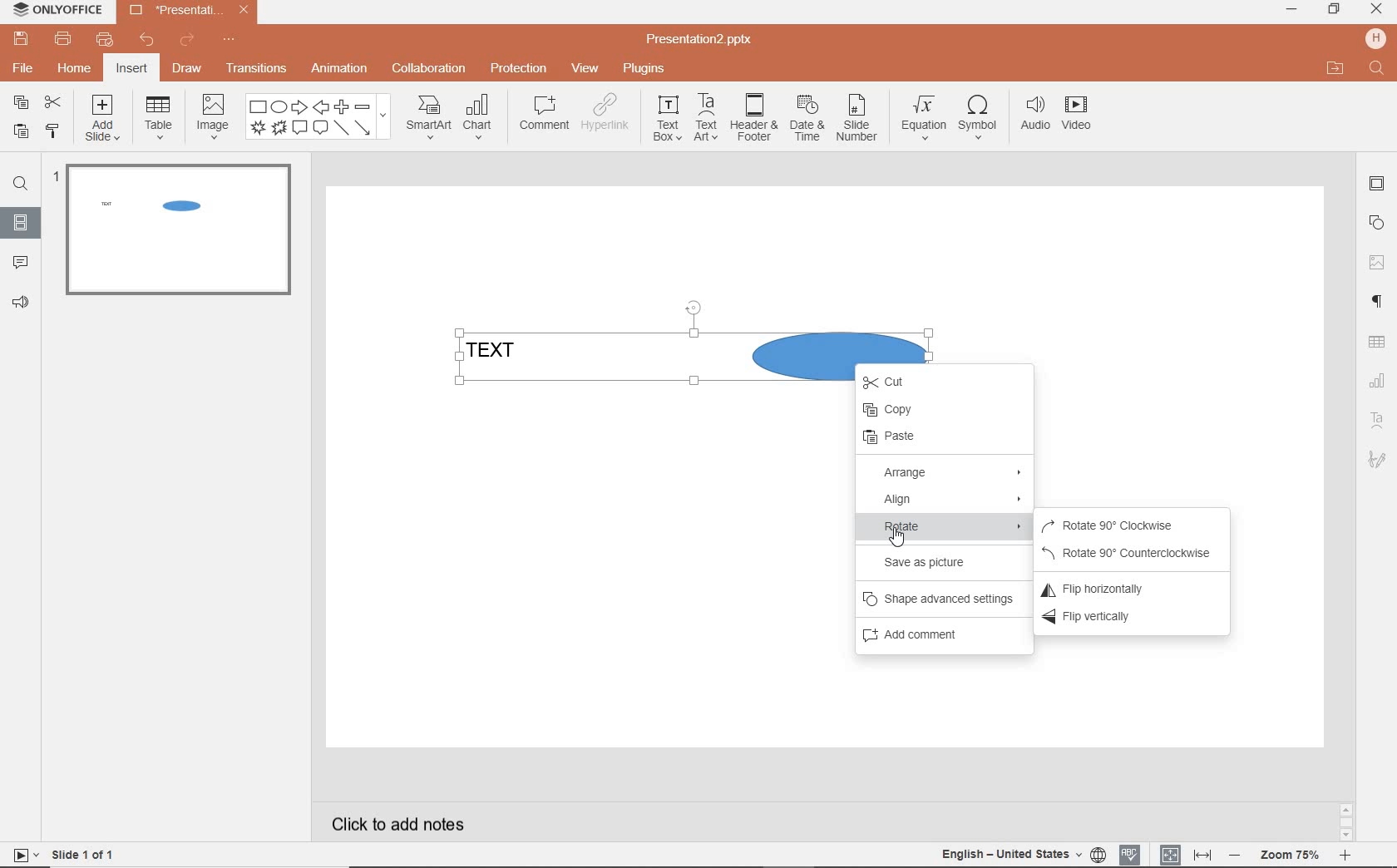  I want to click on Chart settings, so click(1376, 380).